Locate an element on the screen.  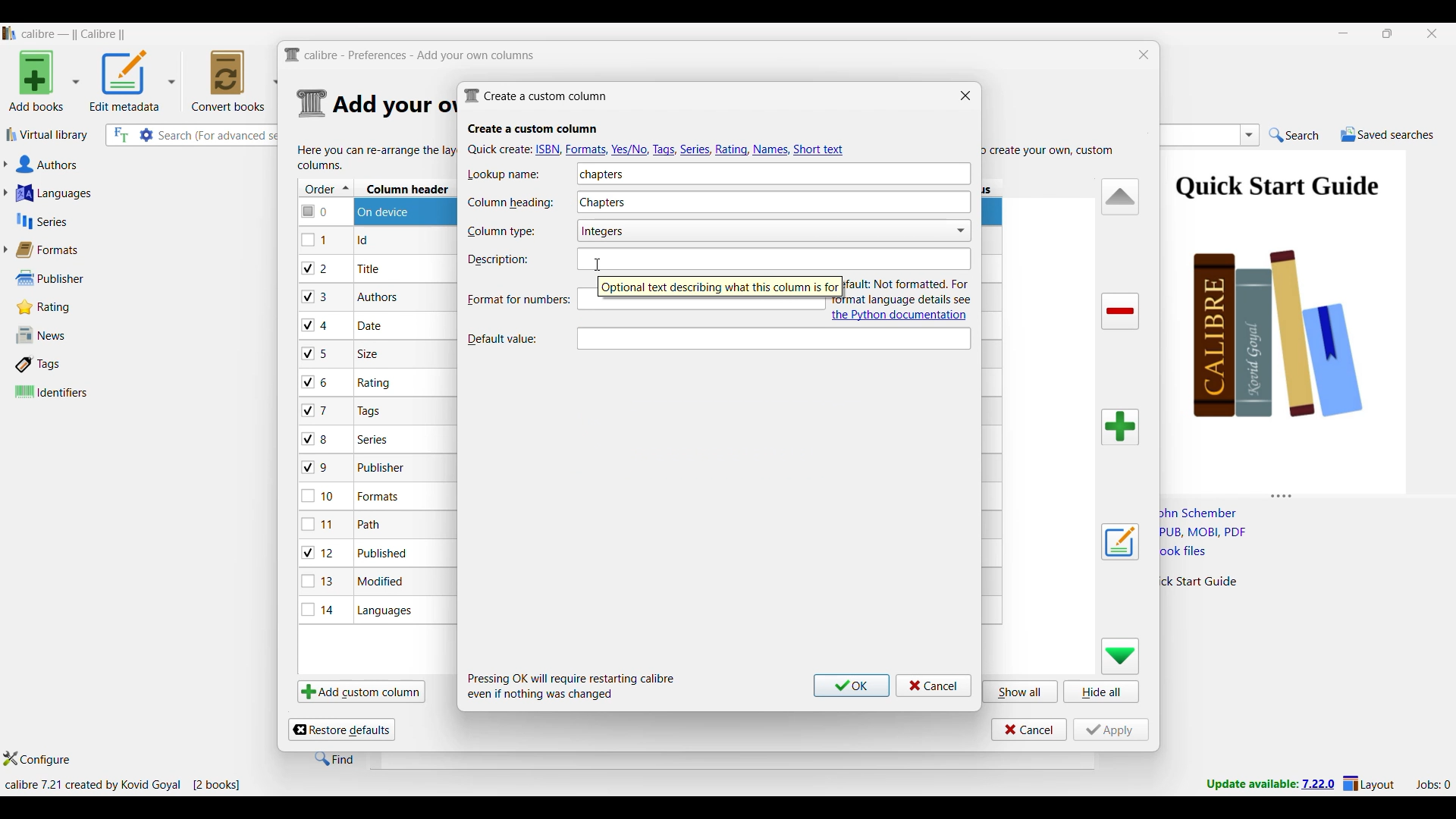
Description and link to documentation of new attribute added is located at coordinates (908, 299).